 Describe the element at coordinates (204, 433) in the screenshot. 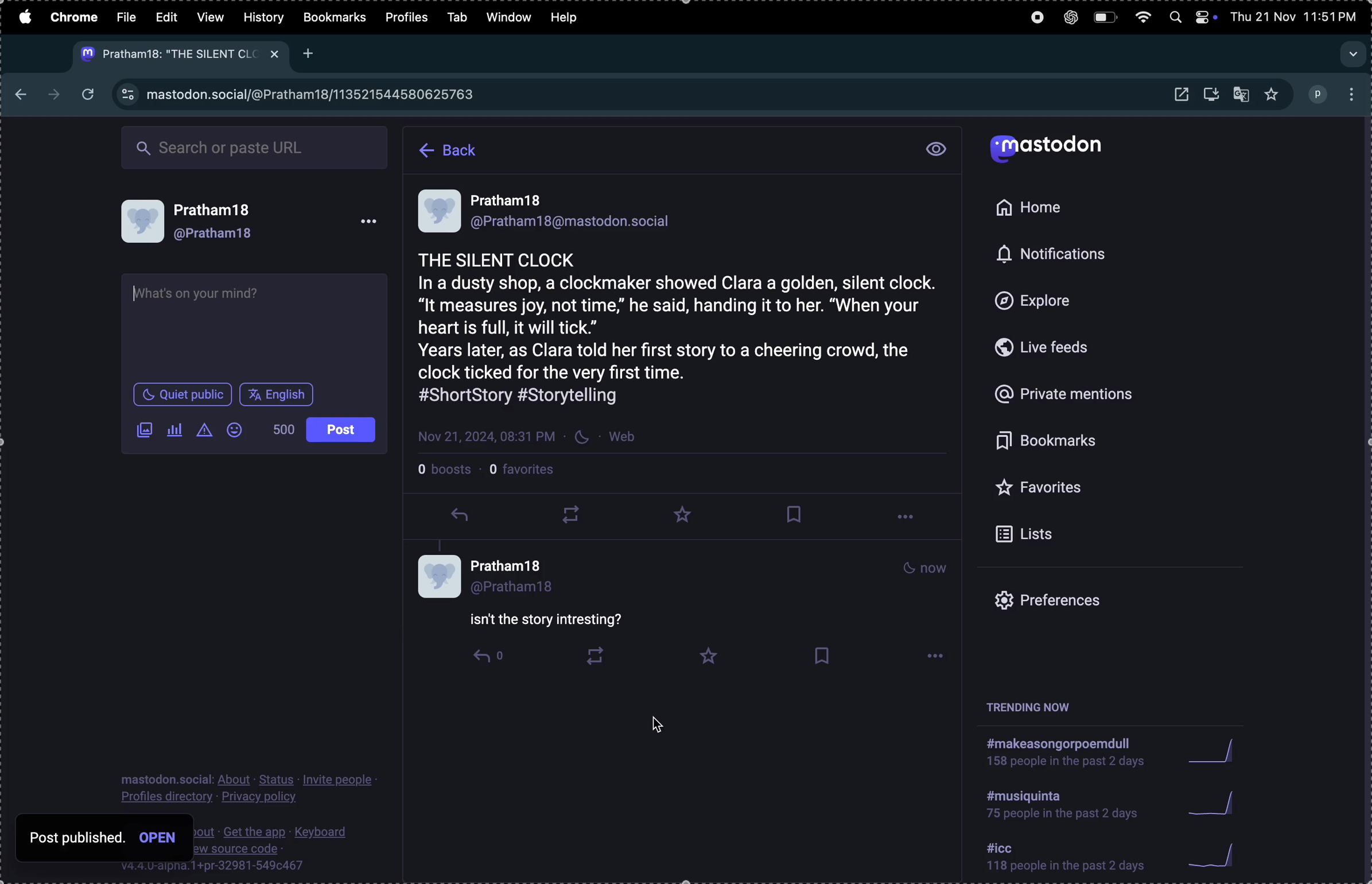

I see `content warning` at that location.